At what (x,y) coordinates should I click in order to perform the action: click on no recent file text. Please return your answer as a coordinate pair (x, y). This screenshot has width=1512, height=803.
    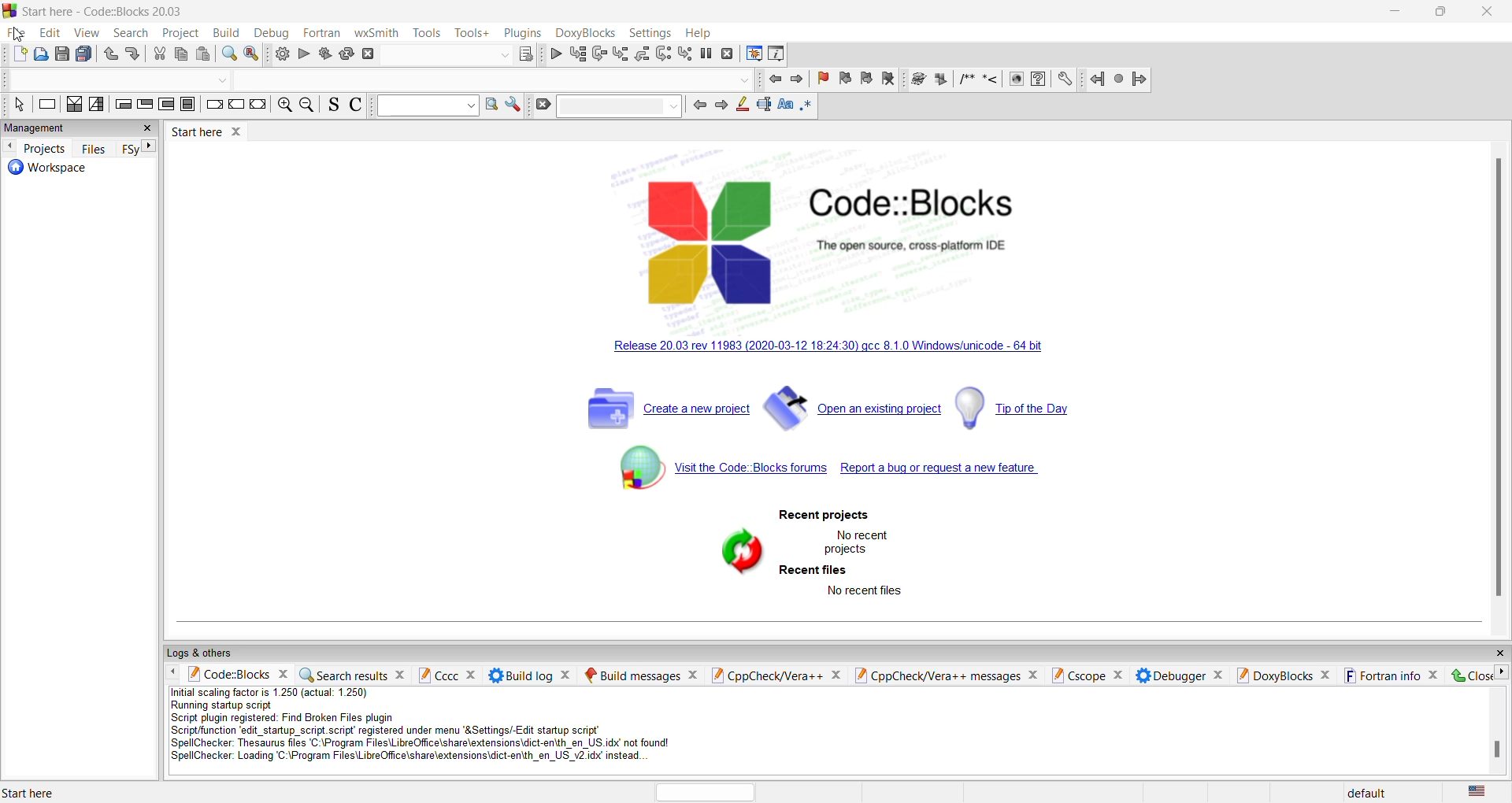
    Looking at the image, I should click on (865, 592).